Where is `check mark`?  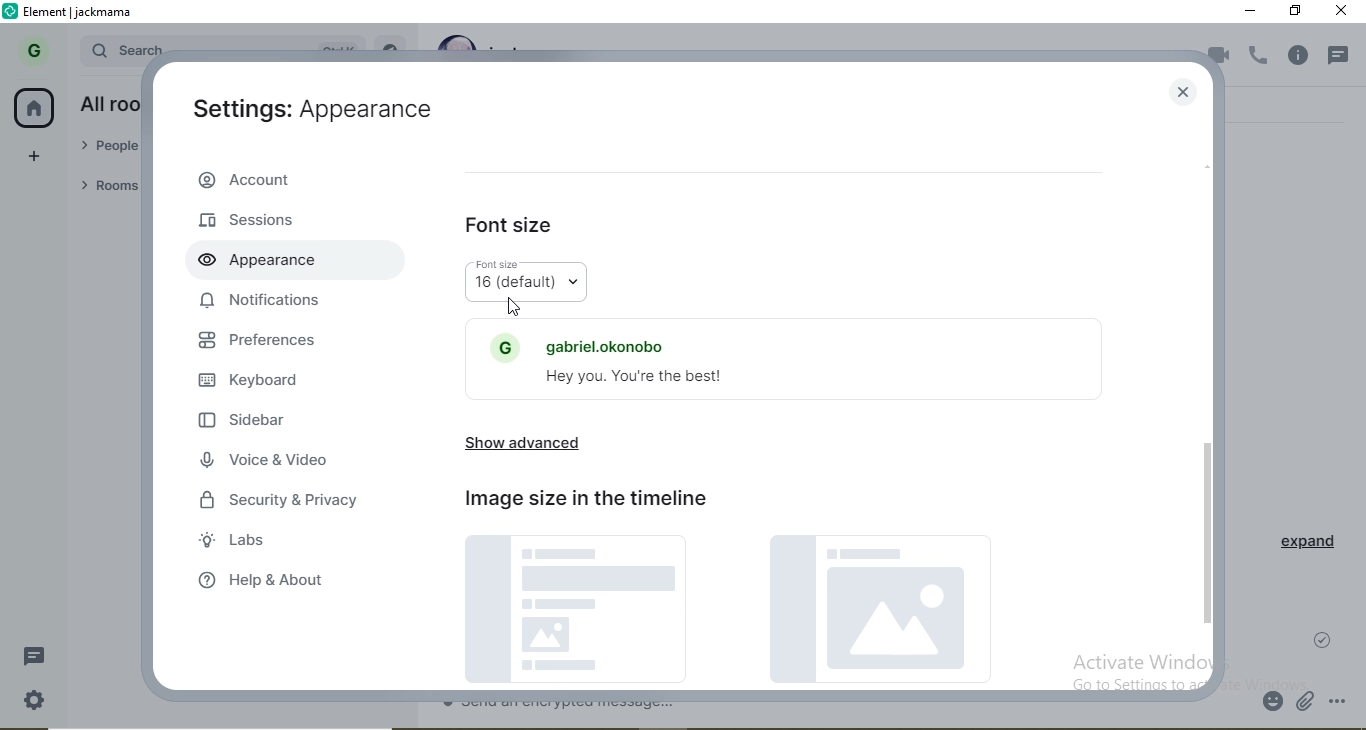 check mark is located at coordinates (1327, 637).